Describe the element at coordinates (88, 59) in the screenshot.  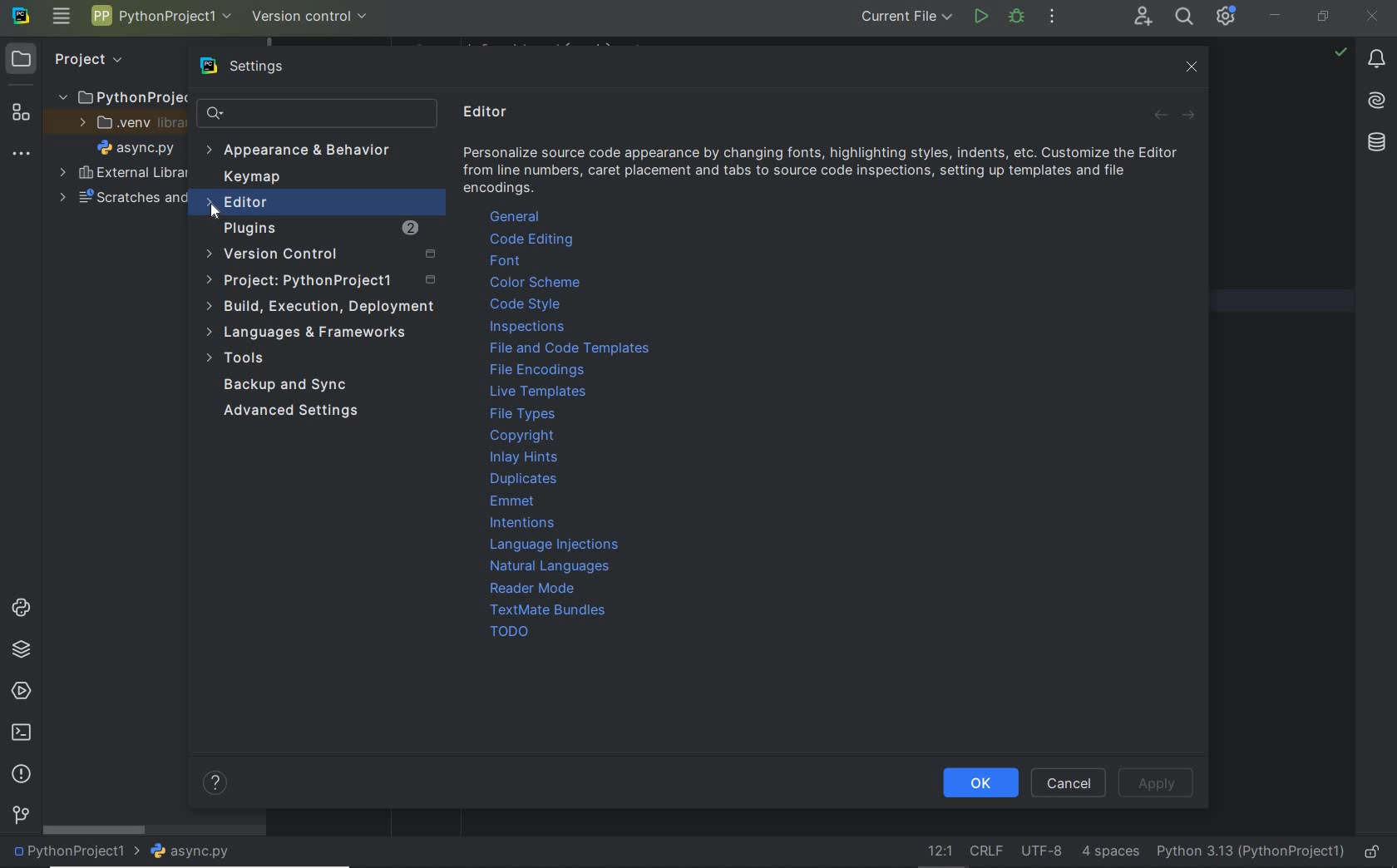
I see `Project` at that location.